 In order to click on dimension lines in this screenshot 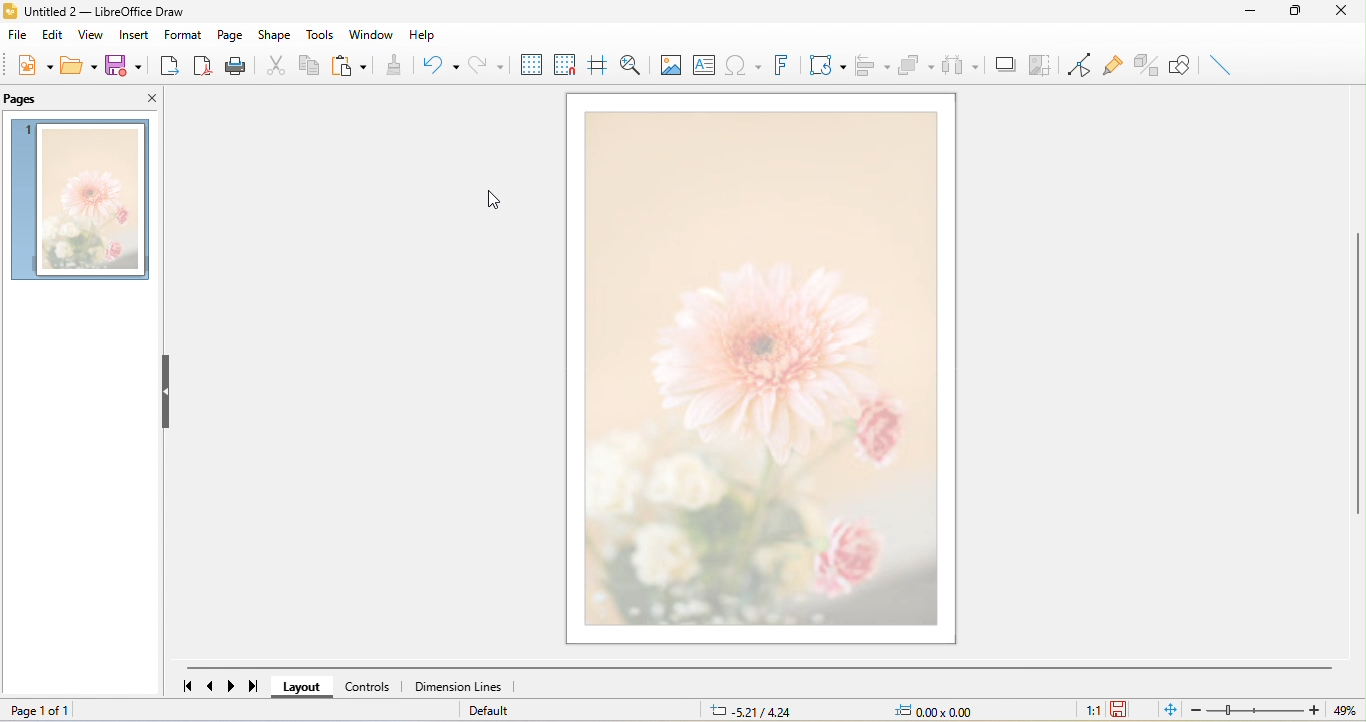, I will do `click(463, 687)`.